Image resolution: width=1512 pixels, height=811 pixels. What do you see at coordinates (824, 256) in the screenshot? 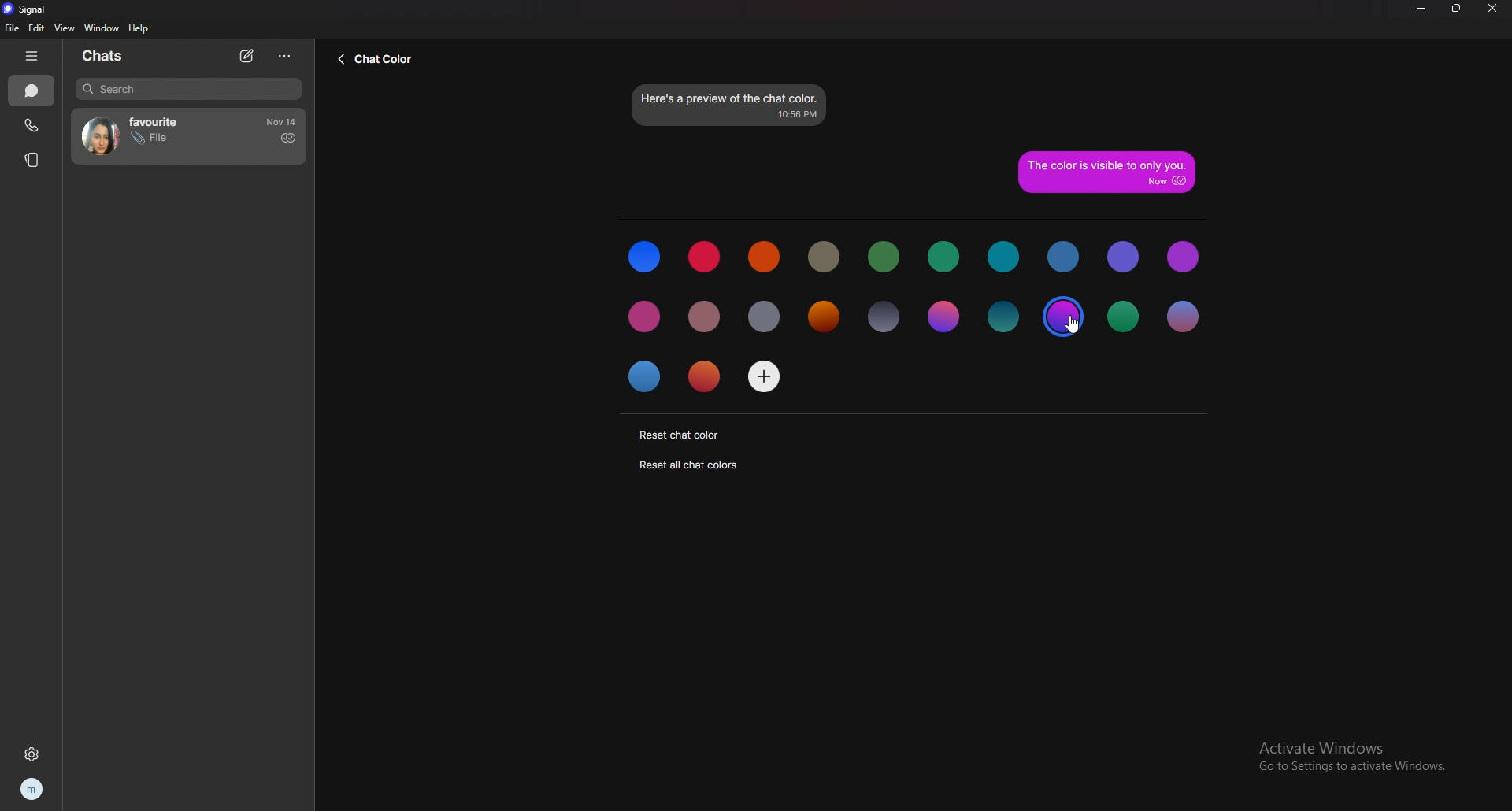
I see `color` at bounding box center [824, 256].